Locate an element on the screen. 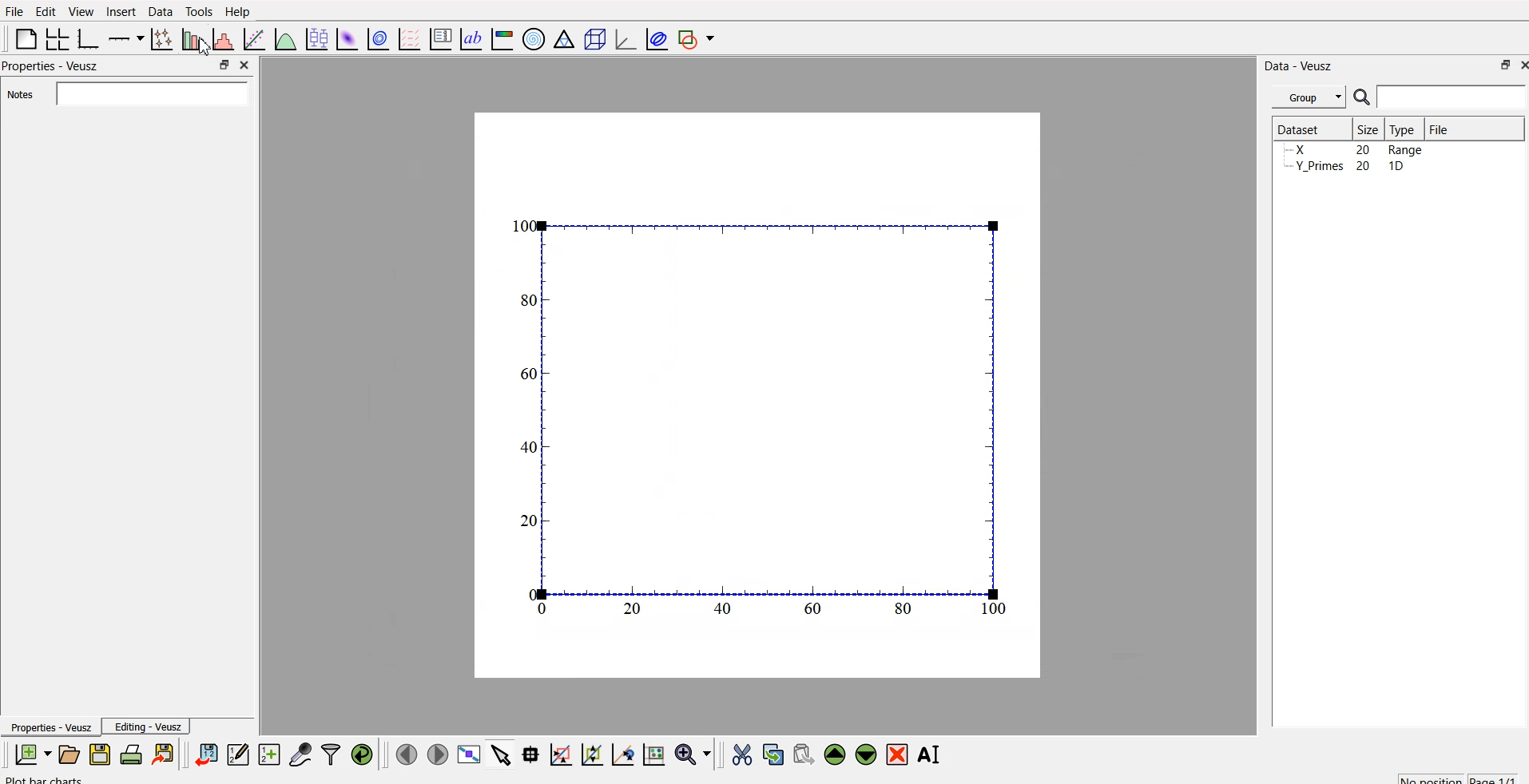  import data is located at coordinates (207, 752).